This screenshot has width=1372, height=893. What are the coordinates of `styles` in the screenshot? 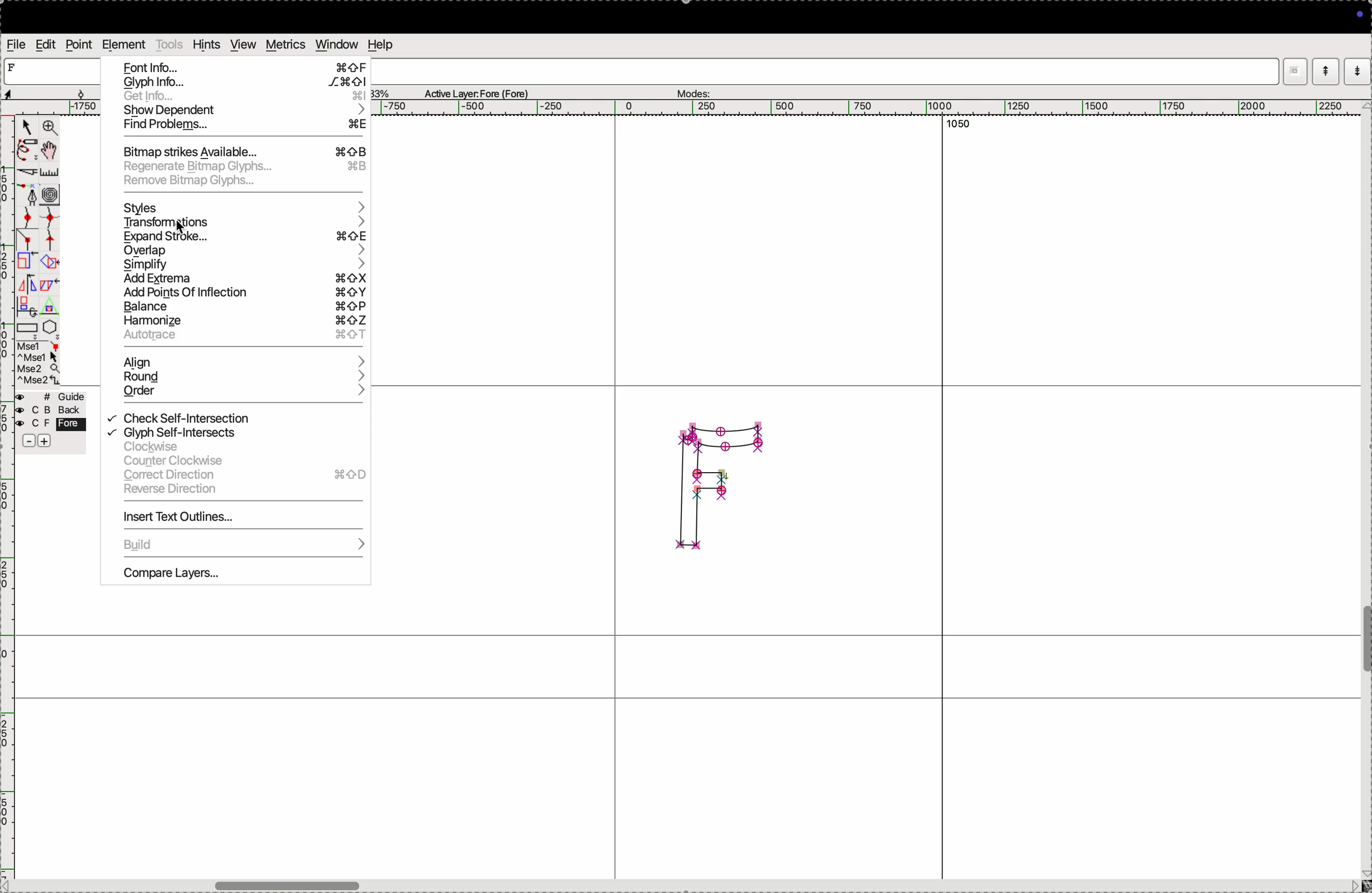 It's located at (246, 206).